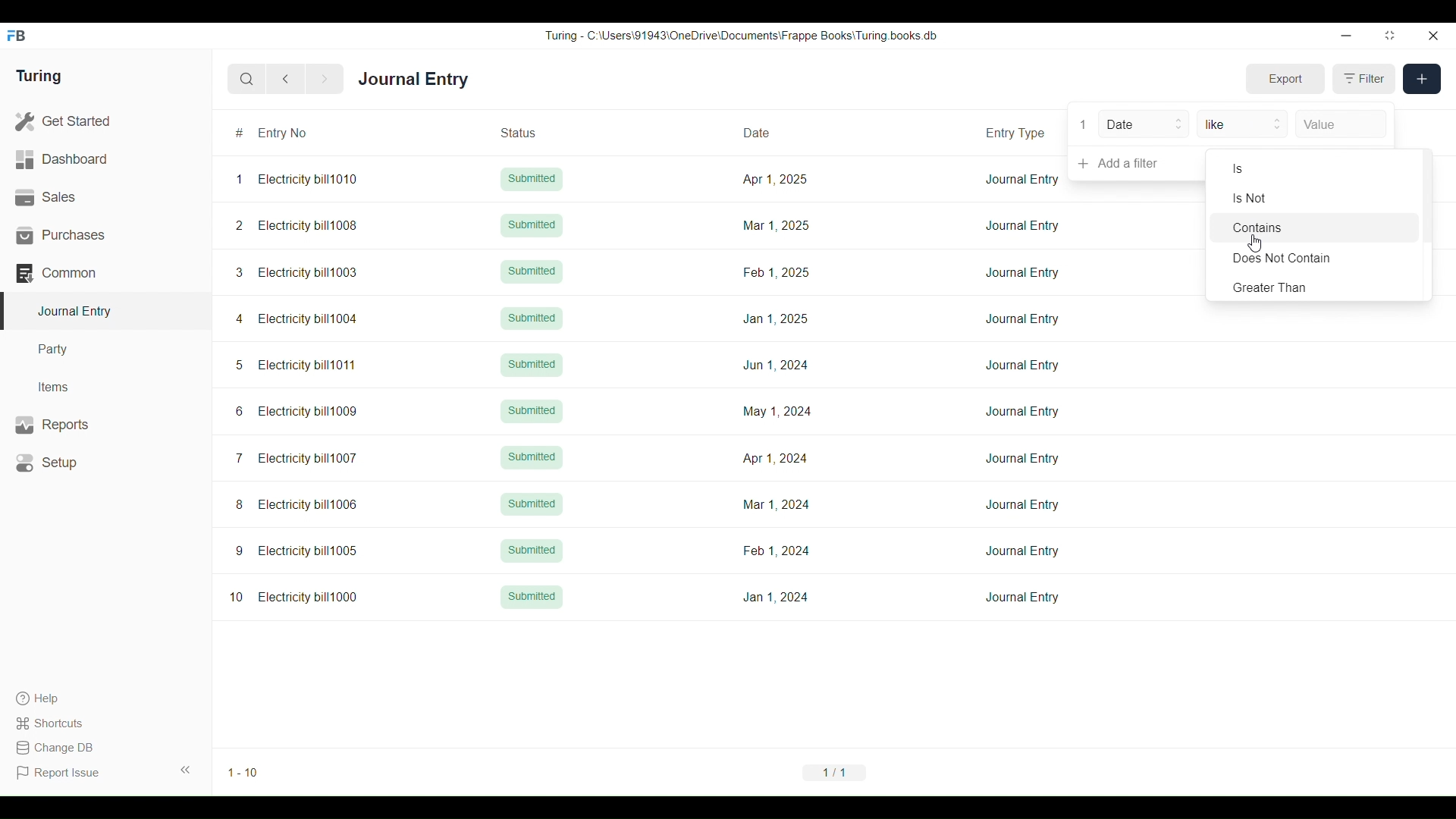 This screenshot has width=1456, height=819. What do you see at coordinates (777, 504) in the screenshot?
I see `Mar 1, 2024` at bounding box center [777, 504].